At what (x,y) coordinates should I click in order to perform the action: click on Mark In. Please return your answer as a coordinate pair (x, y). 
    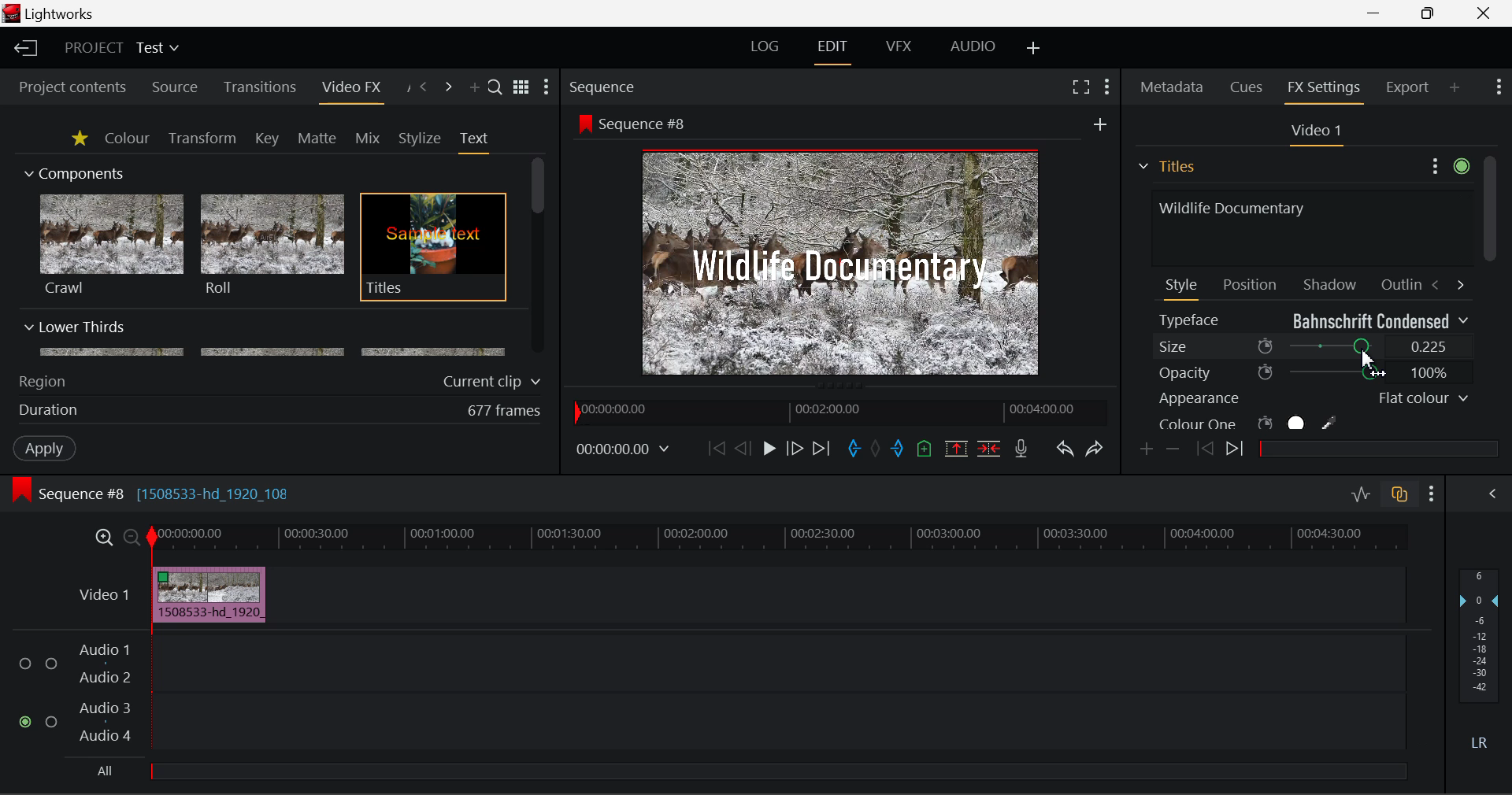
    Looking at the image, I should click on (854, 451).